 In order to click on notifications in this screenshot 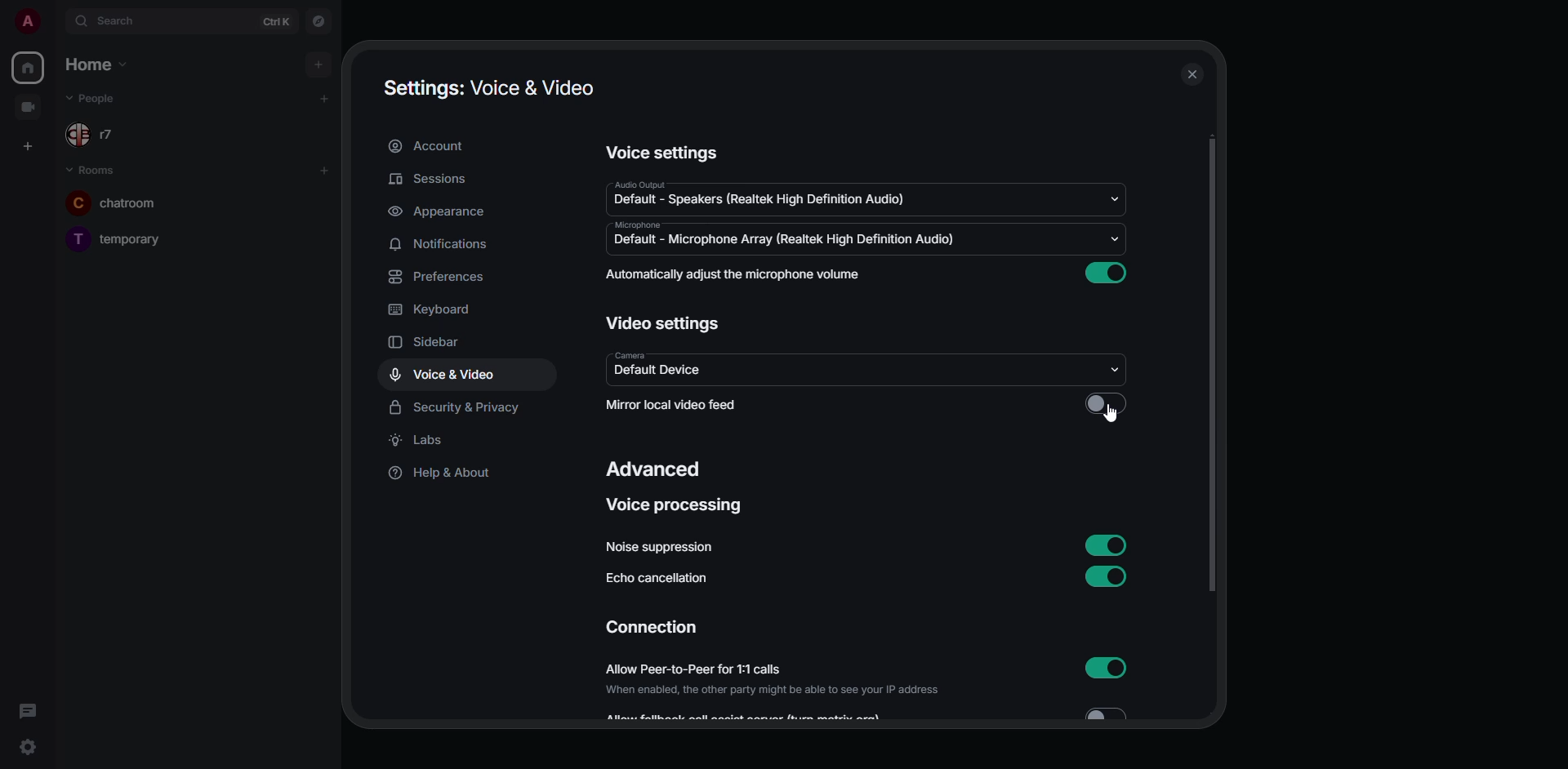, I will do `click(442, 244)`.